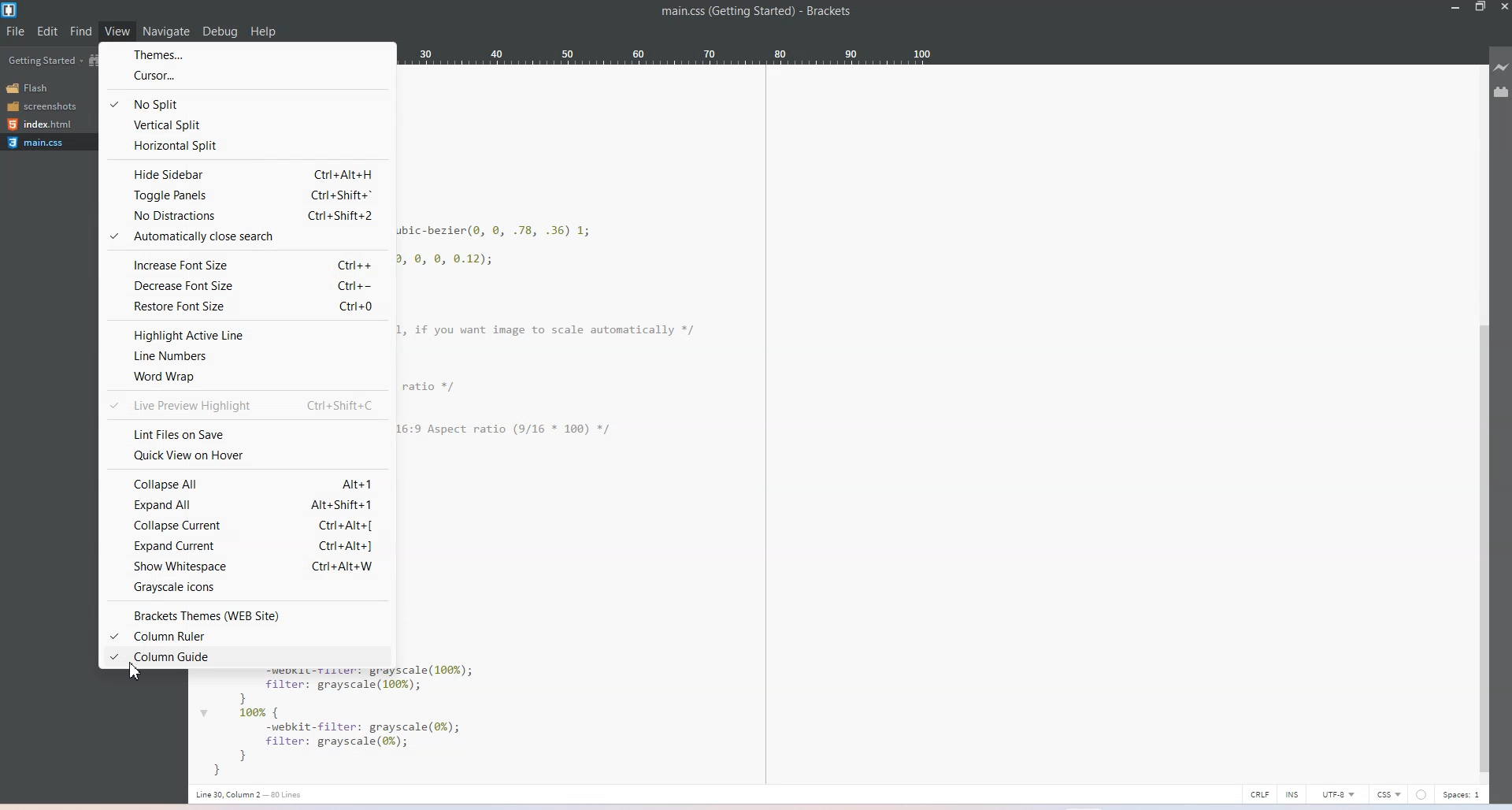 The image size is (1512, 810). I want to click on Brackets, so click(828, 12).